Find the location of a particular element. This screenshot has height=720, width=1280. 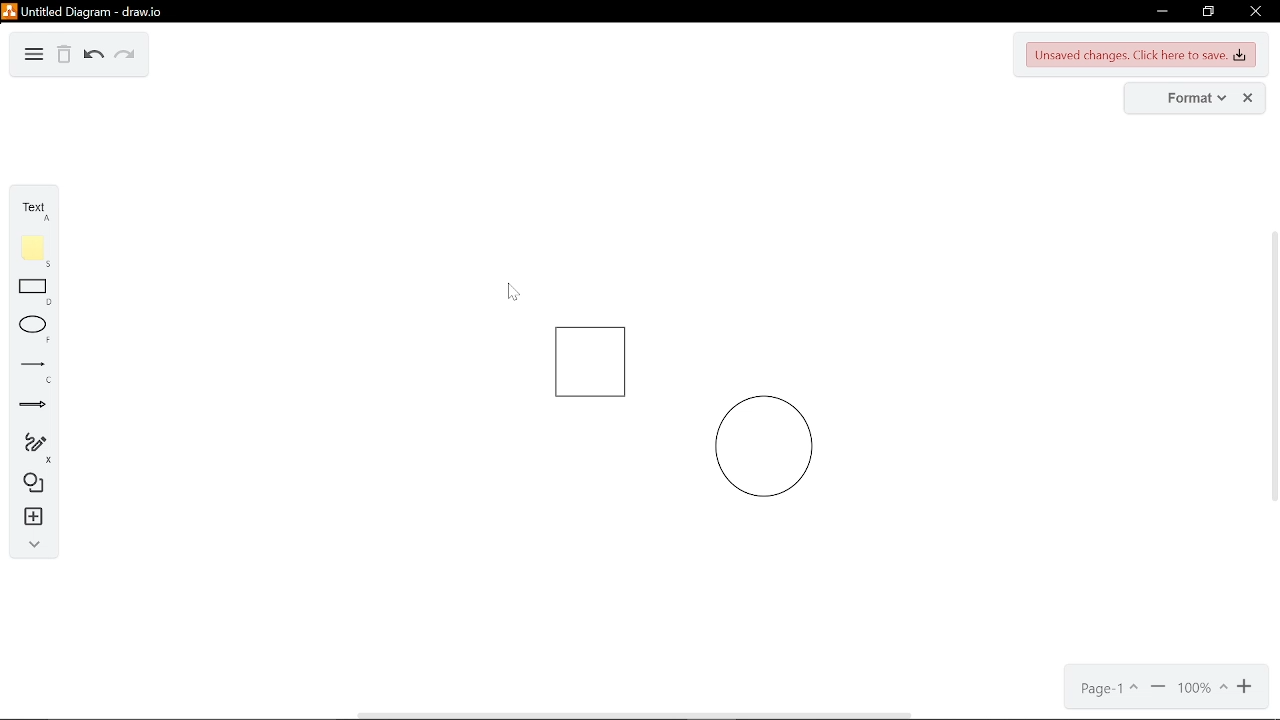

undo is located at coordinates (92, 57).